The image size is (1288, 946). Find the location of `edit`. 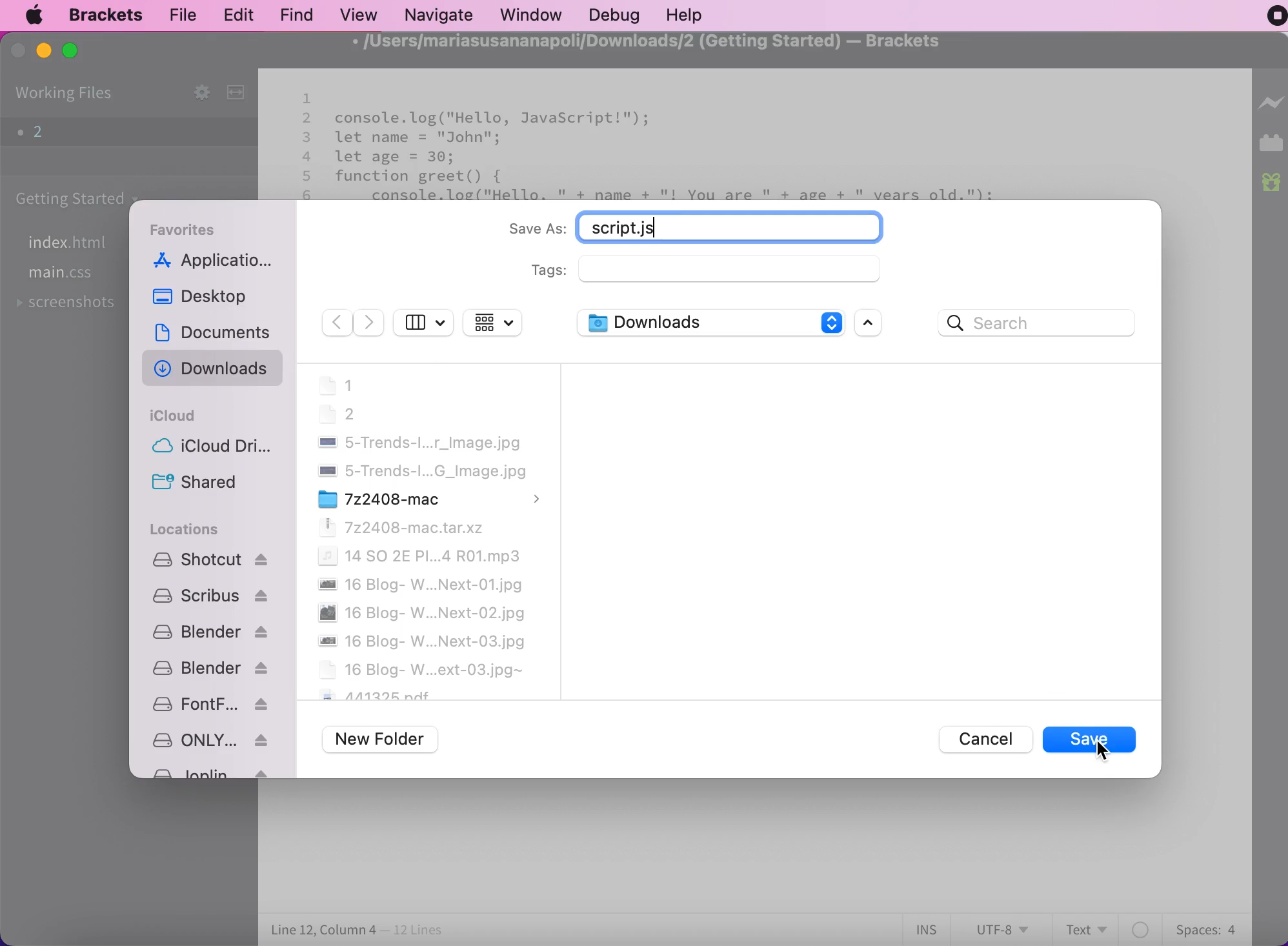

edit is located at coordinates (234, 14).